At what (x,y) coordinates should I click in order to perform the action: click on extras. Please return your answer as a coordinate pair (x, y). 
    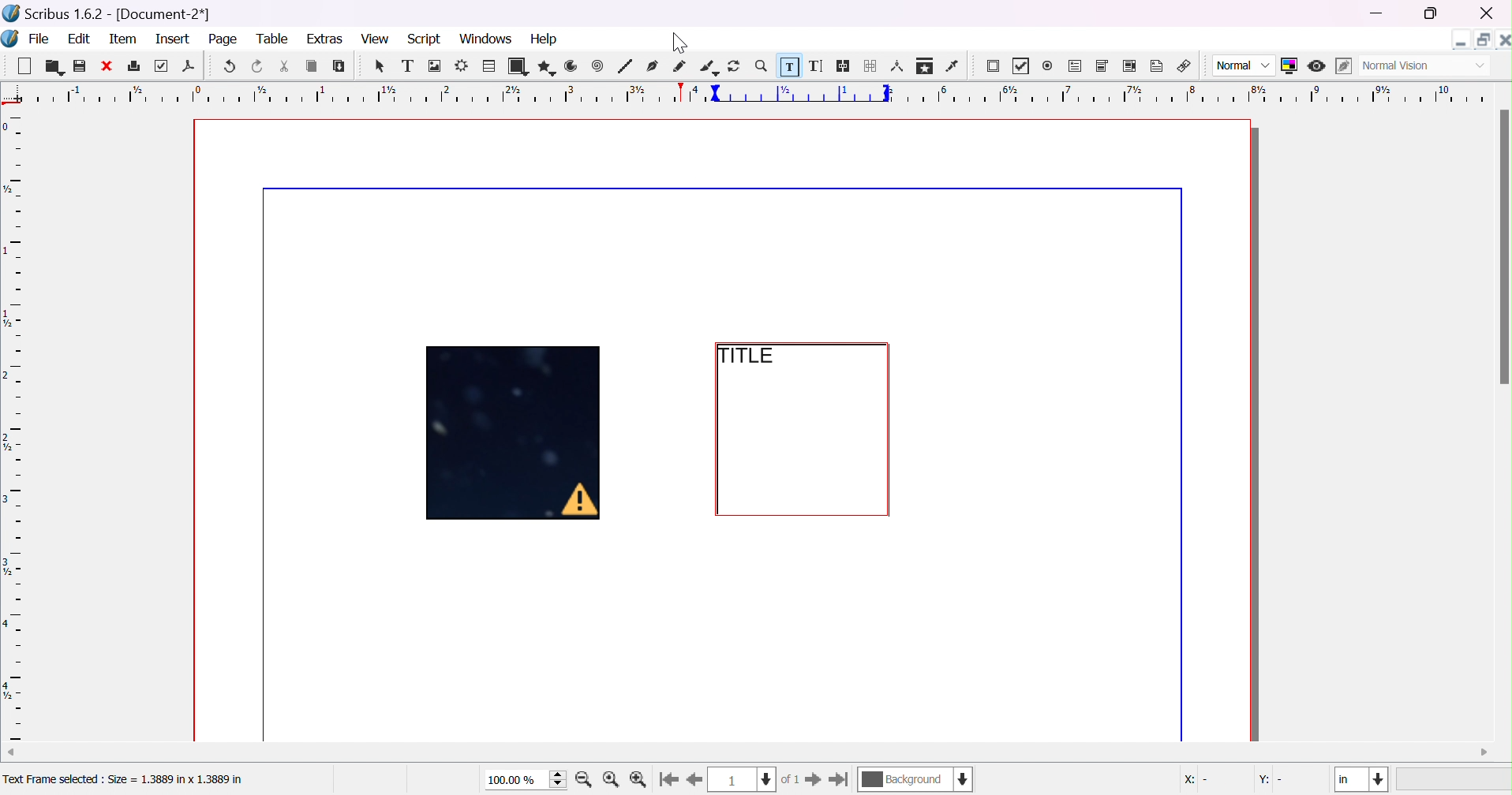
    Looking at the image, I should click on (325, 39).